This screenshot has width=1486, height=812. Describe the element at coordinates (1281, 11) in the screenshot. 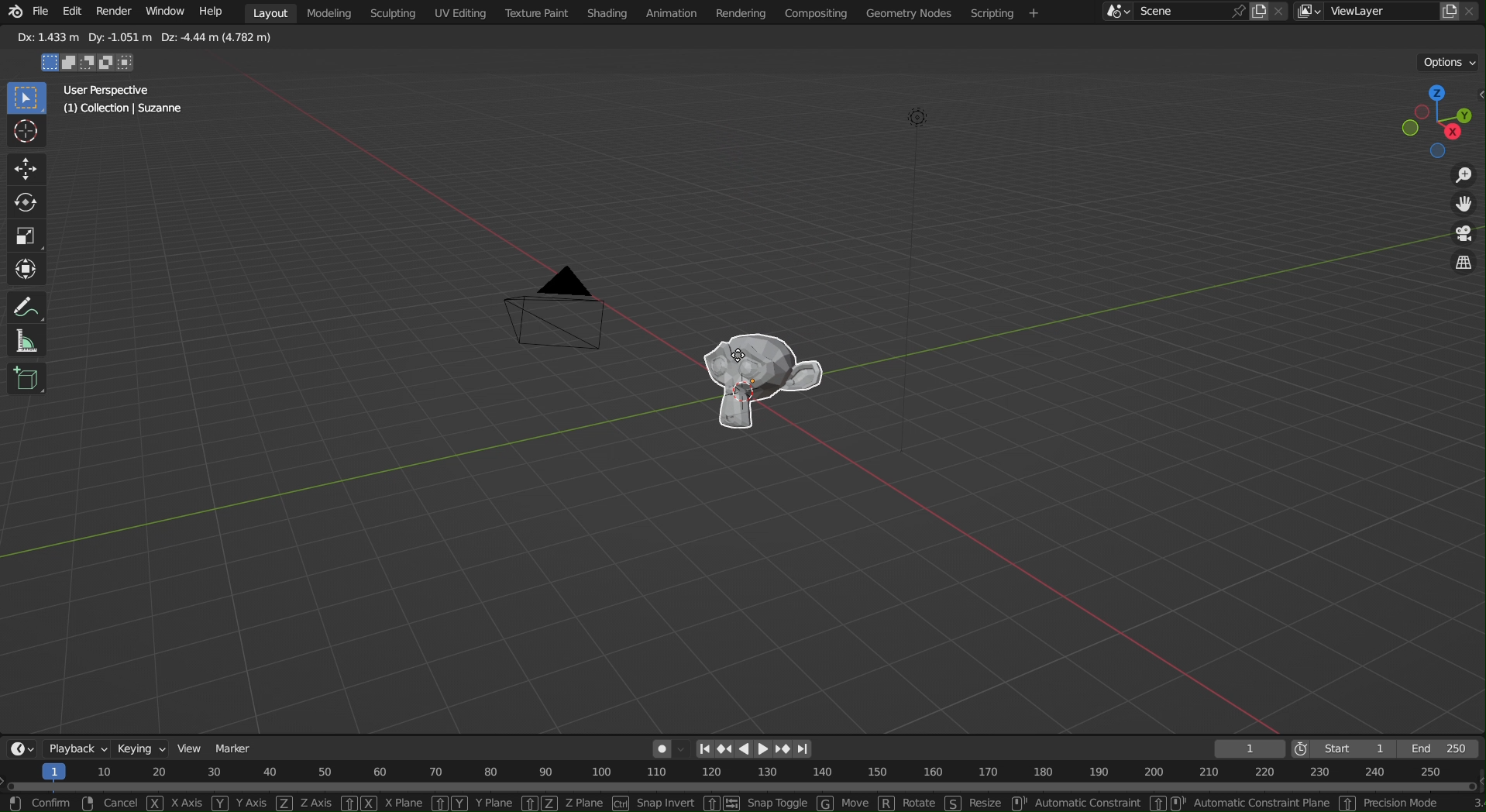

I see `close` at that location.